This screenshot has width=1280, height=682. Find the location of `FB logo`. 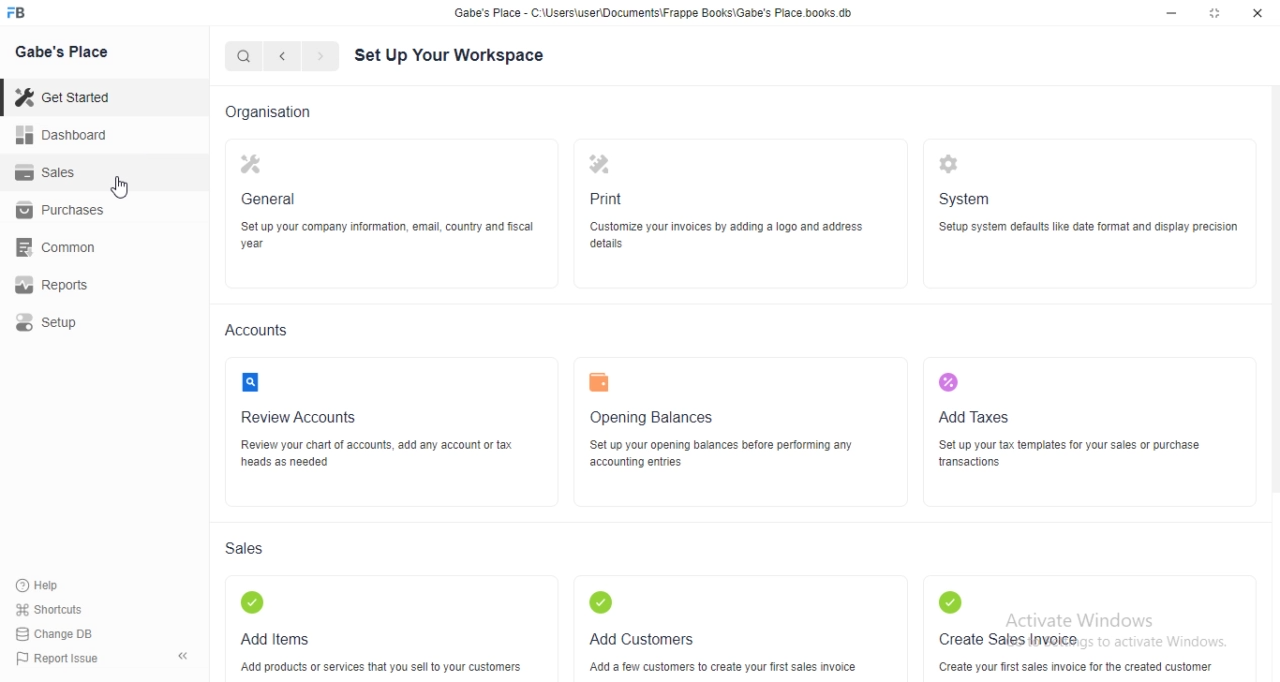

FB logo is located at coordinates (30, 13).